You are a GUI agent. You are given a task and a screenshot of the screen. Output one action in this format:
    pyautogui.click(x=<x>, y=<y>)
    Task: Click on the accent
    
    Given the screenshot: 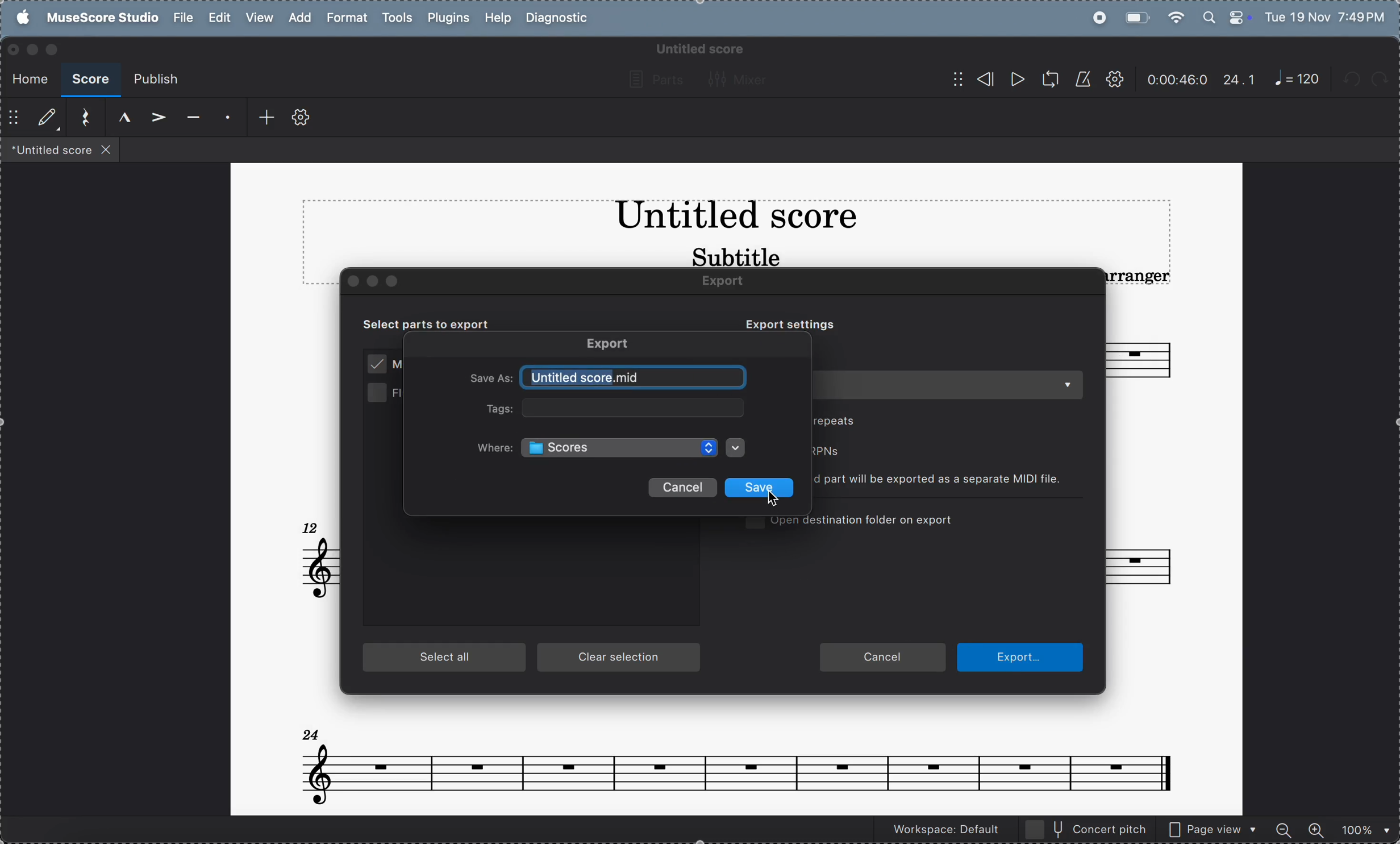 What is the action you would take?
    pyautogui.click(x=155, y=118)
    